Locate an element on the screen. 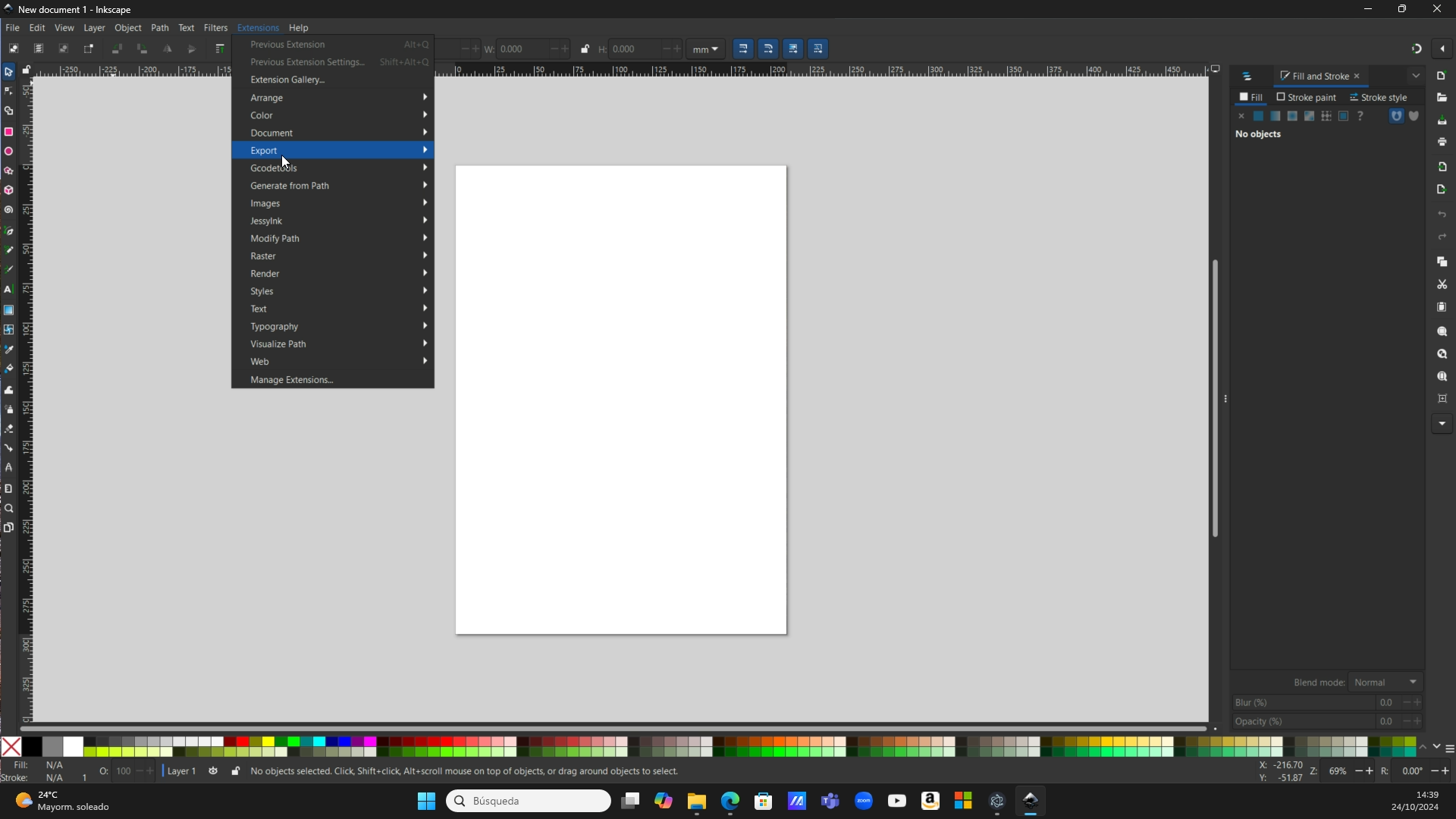  Edit is located at coordinates (39, 28).